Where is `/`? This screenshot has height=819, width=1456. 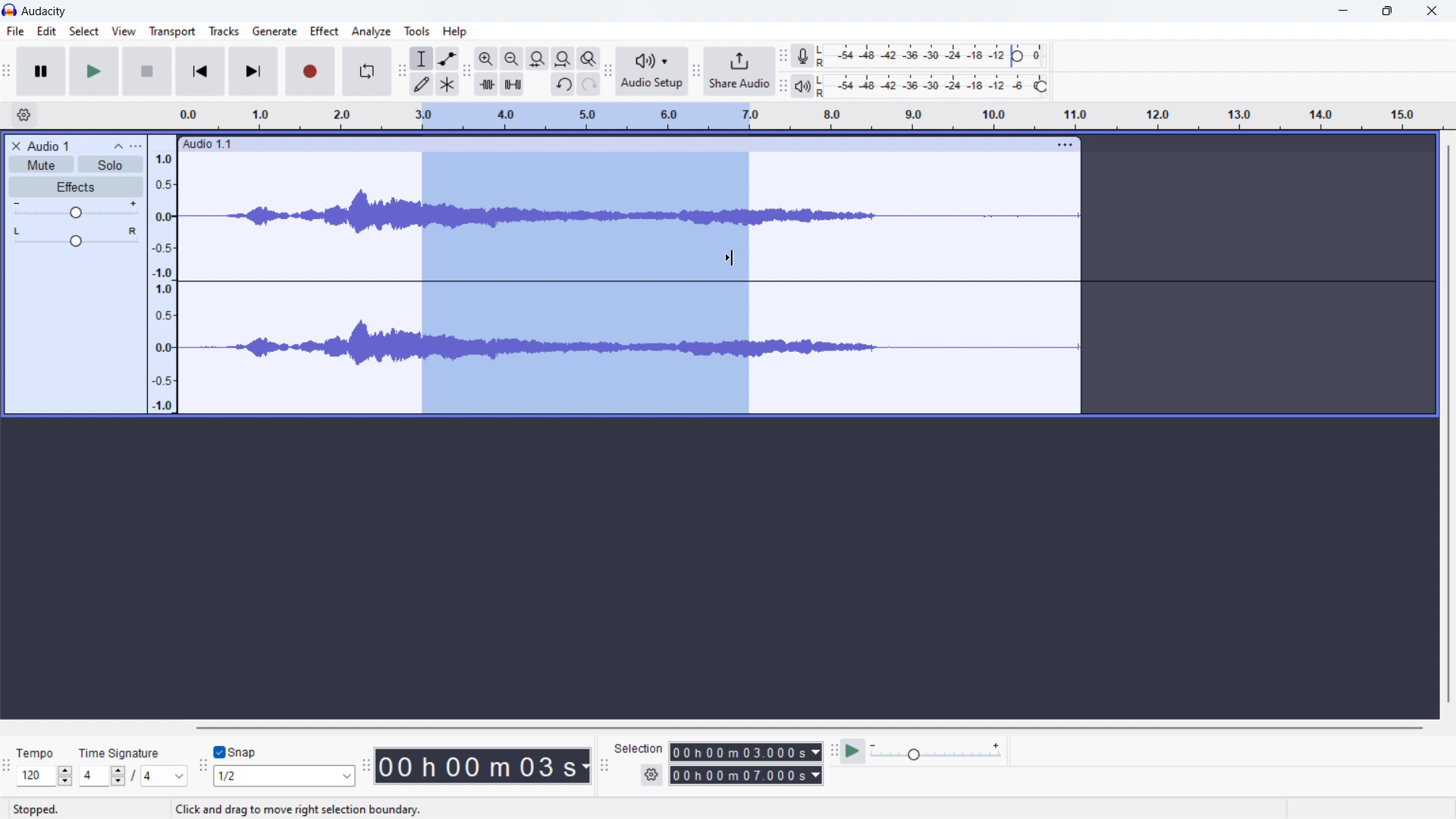
/ is located at coordinates (134, 775).